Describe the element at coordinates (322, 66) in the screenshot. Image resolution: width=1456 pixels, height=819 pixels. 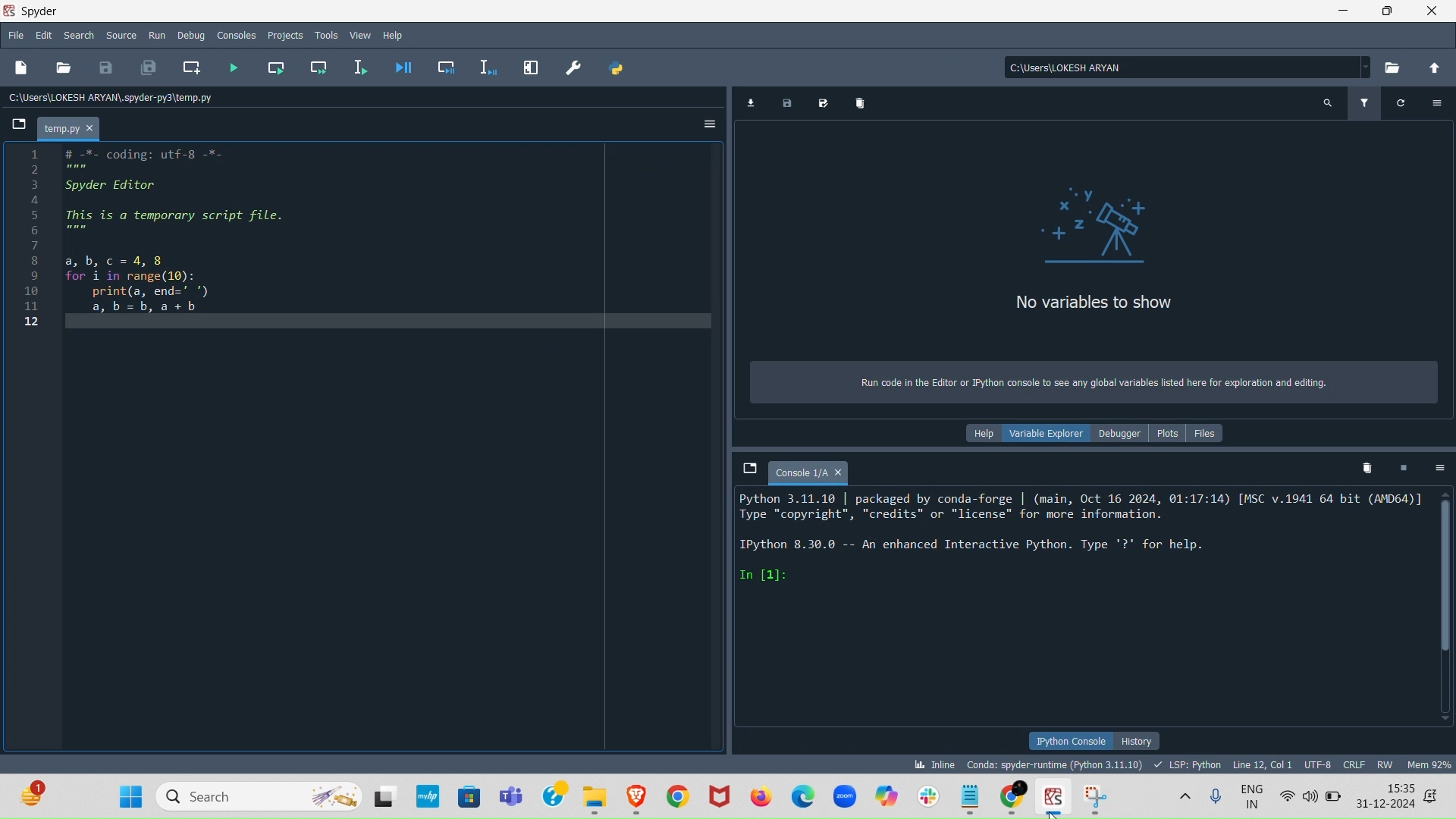
I see `Run current cell and go to the next one (Shift + Return)` at that location.